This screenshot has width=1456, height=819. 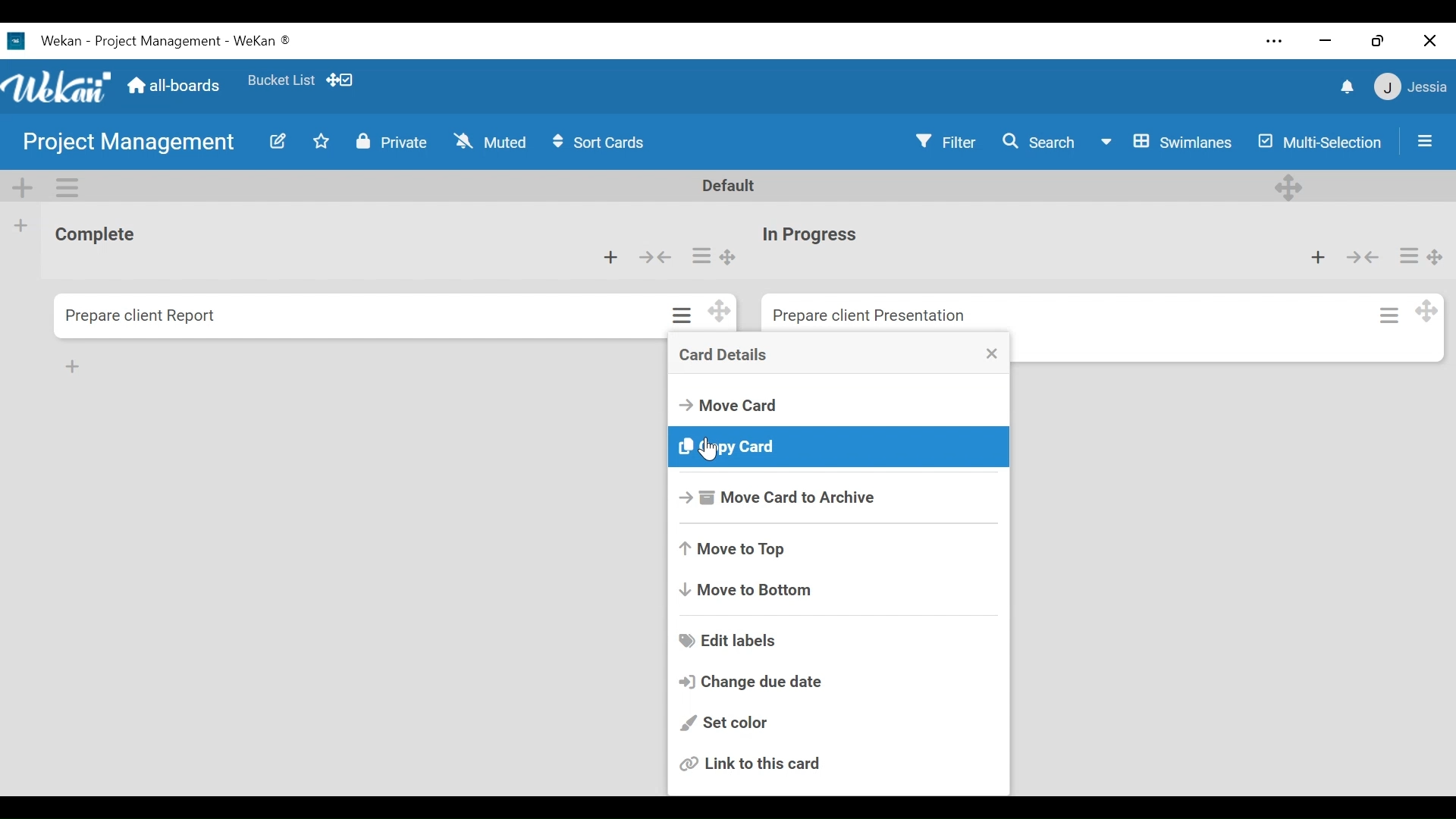 What do you see at coordinates (1432, 39) in the screenshot?
I see `Close` at bounding box center [1432, 39].